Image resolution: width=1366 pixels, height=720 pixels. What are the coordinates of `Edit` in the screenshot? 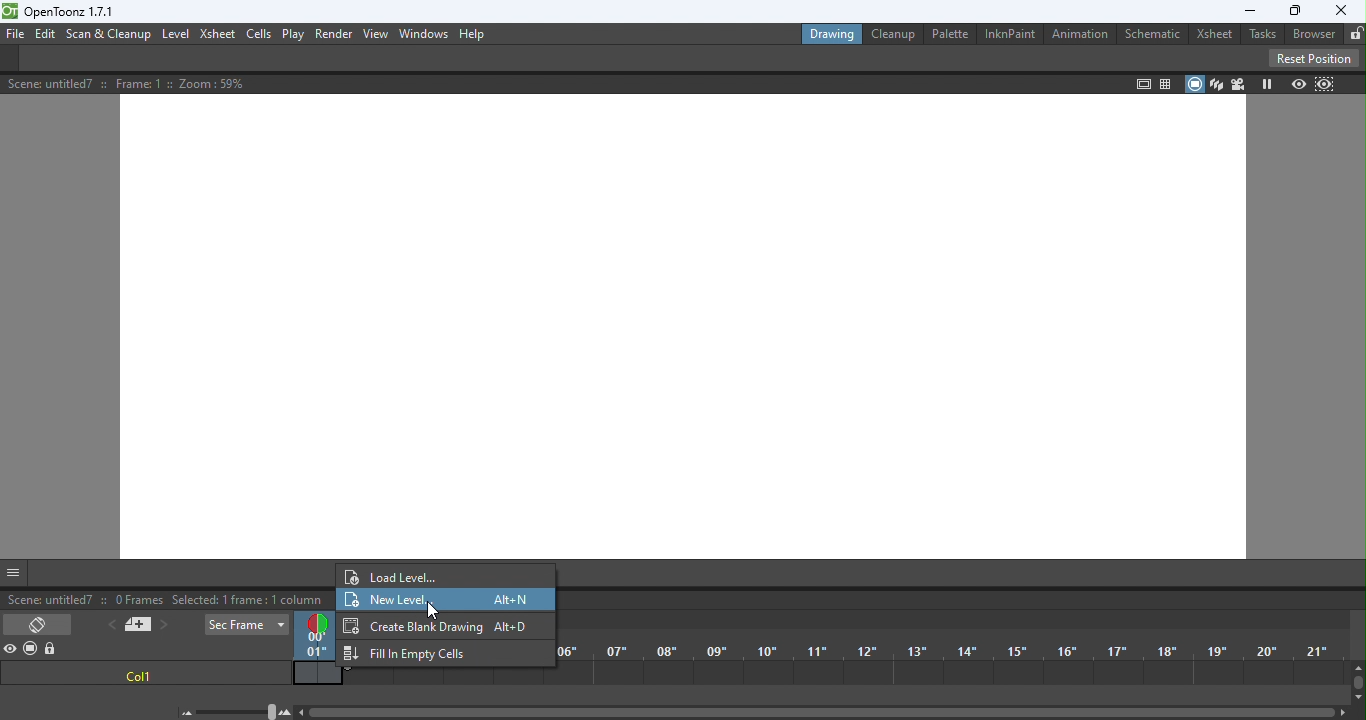 It's located at (48, 35).